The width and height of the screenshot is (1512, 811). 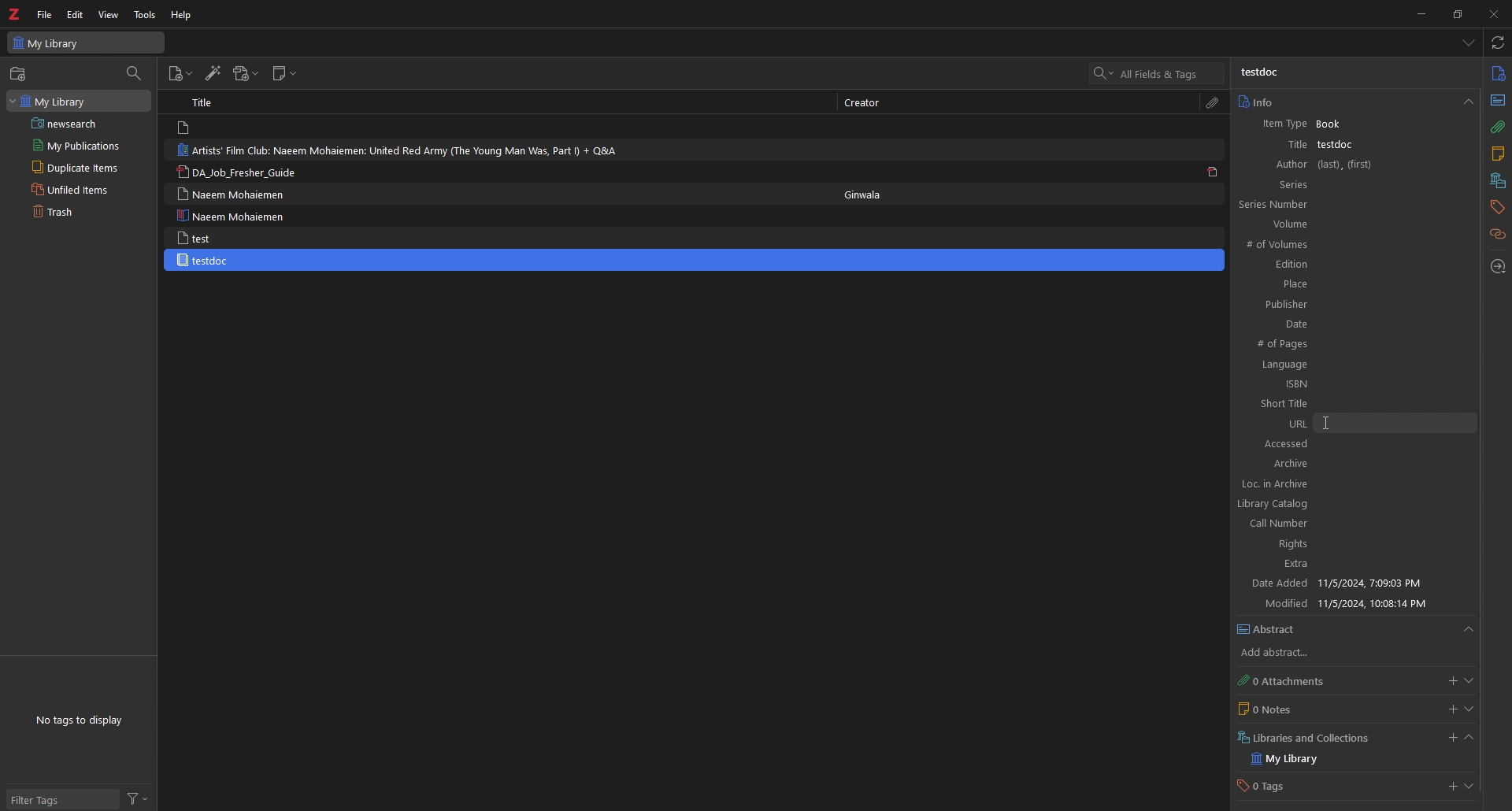 I want to click on item type, so click(x=1284, y=124).